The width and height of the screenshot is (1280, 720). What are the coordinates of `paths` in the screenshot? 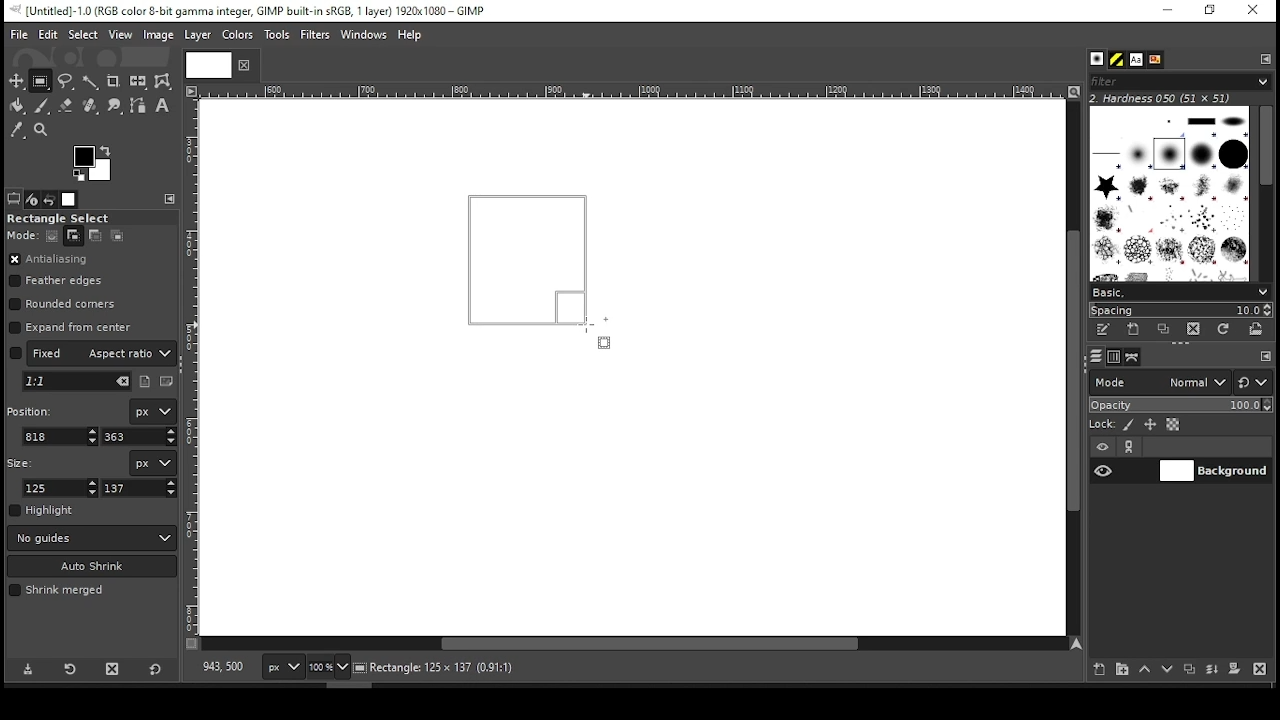 It's located at (1135, 356).